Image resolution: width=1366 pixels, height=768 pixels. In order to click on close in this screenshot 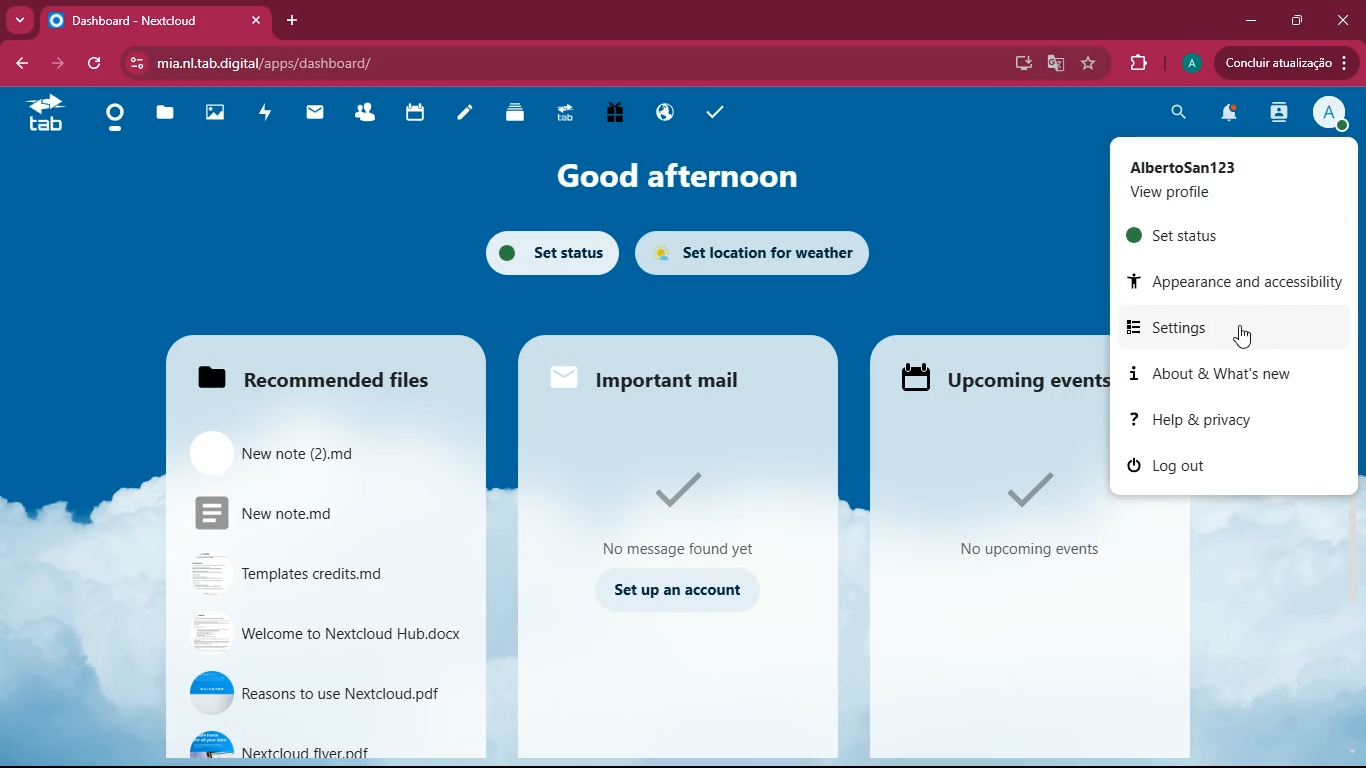, I will do `click(1344, 17)`.